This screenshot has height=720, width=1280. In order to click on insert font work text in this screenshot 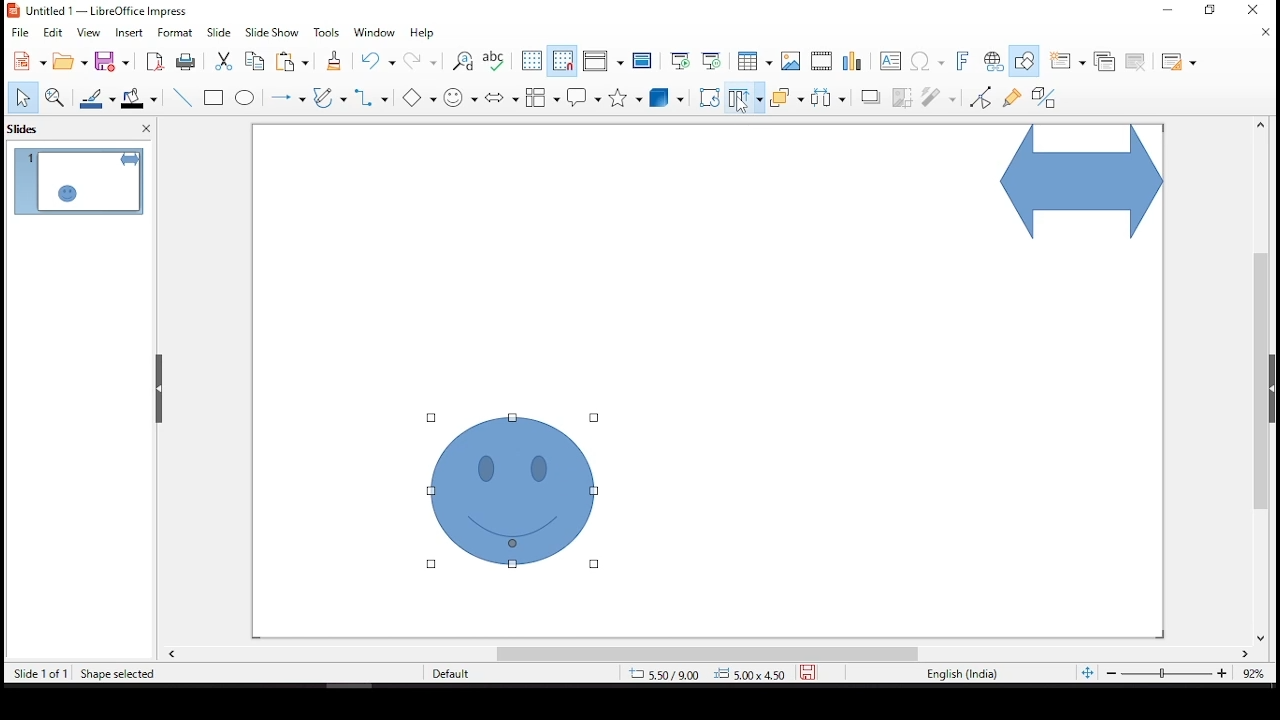, I will do `click(963, 60)`.